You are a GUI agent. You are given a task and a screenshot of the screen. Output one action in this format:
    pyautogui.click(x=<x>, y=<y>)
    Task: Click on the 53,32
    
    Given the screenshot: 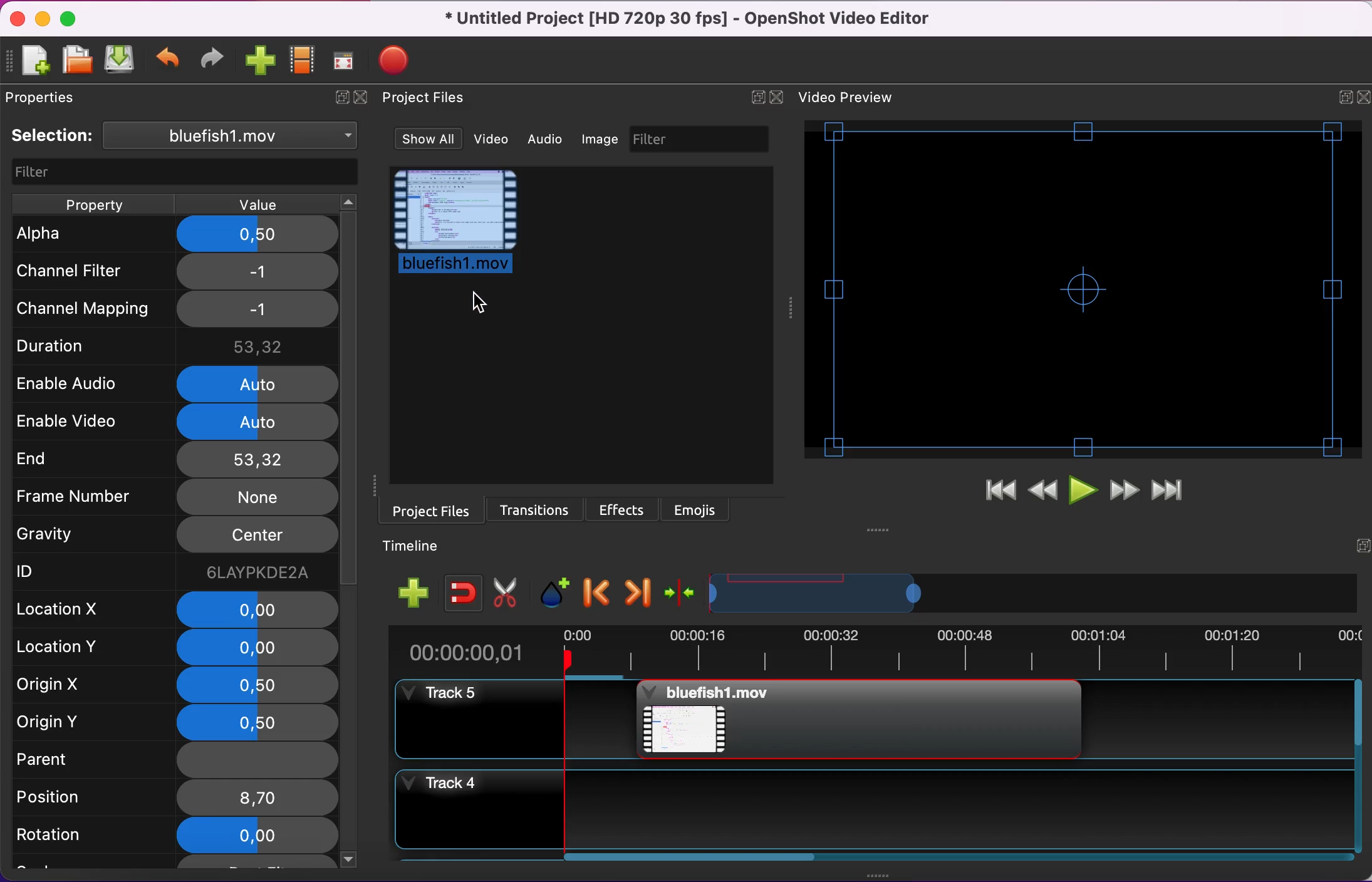 What is the action you would take?
    pyautogui.click(x=258, y=346)
    